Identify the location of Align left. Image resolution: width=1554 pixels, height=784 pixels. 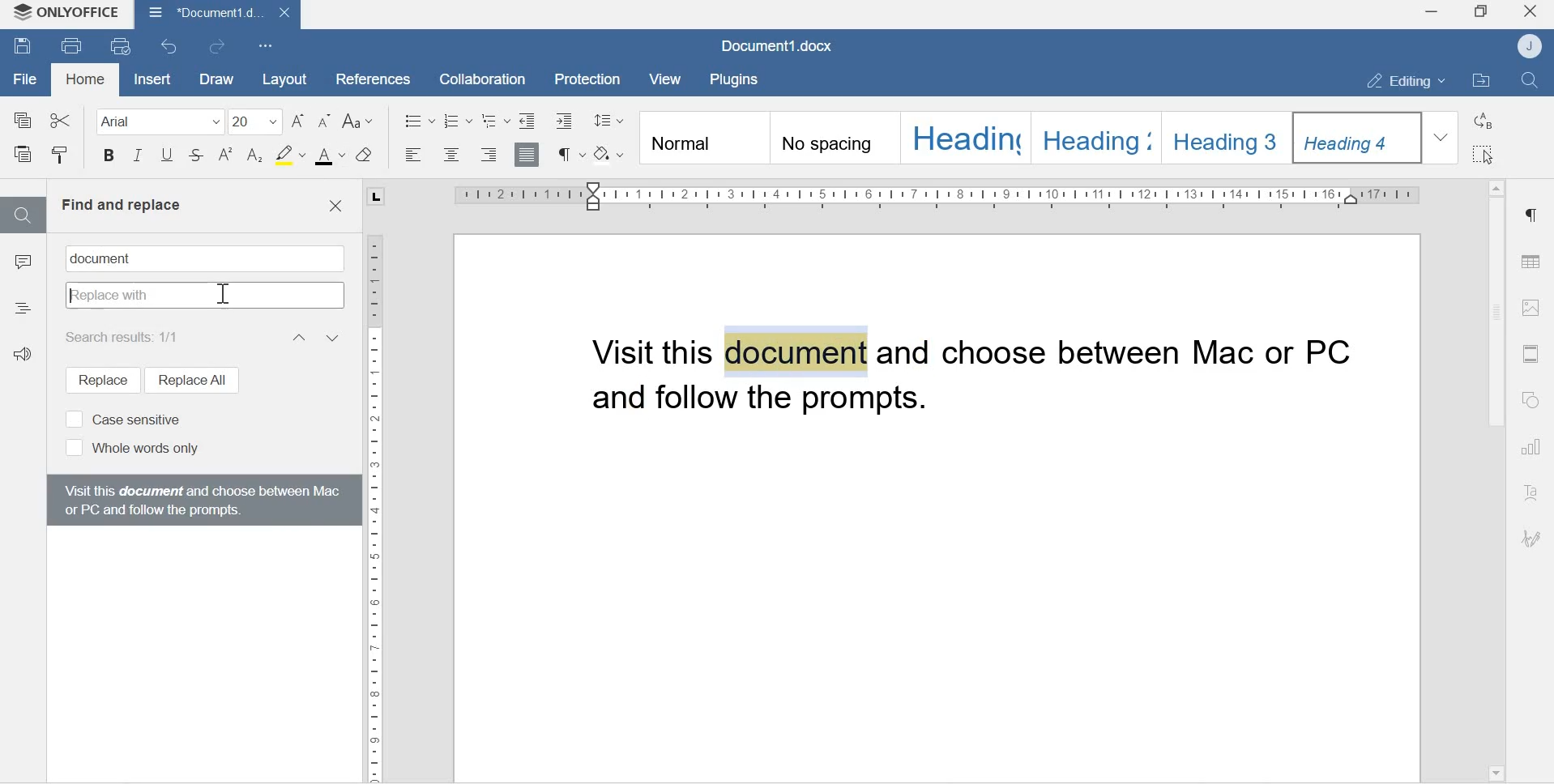
(414, 156).